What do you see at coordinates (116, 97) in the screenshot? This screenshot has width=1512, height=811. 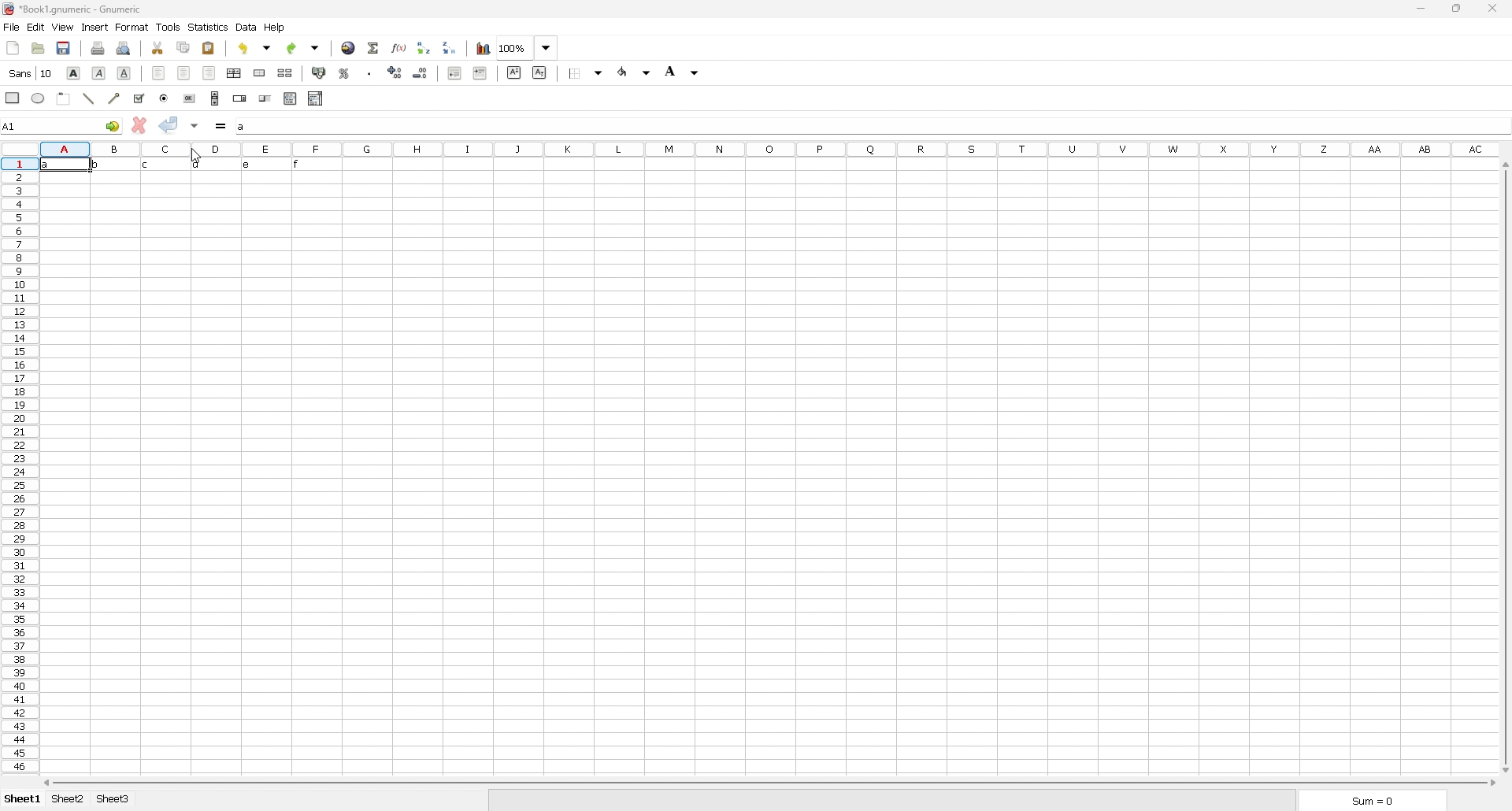 I see `arrowed line` at bounding box center [116, 97].